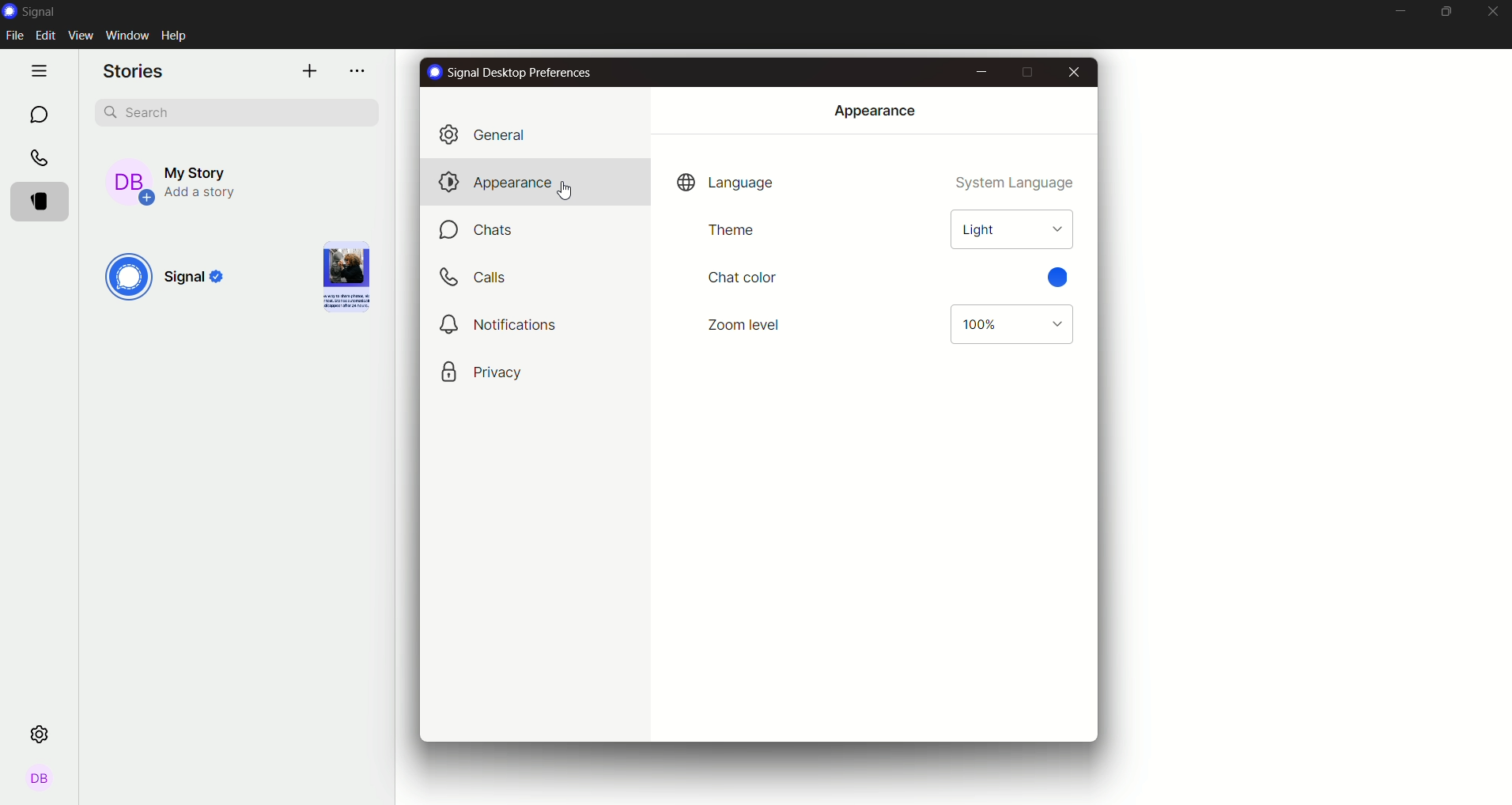 The height and width of the screenshot is (805, 1512). I want to click on stories, so click(44, 201).